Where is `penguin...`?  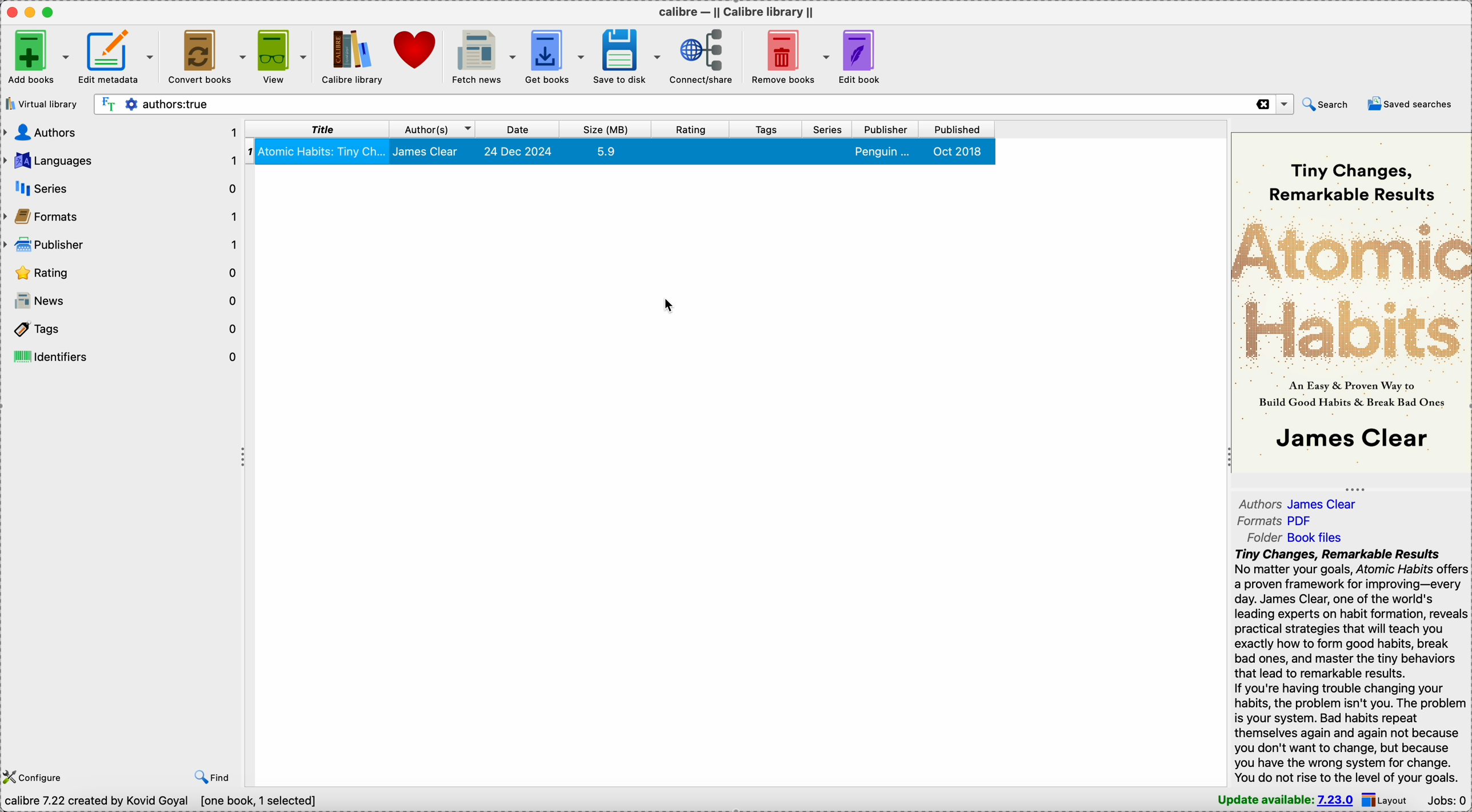
penguin... is located at coordinates (885, 151).